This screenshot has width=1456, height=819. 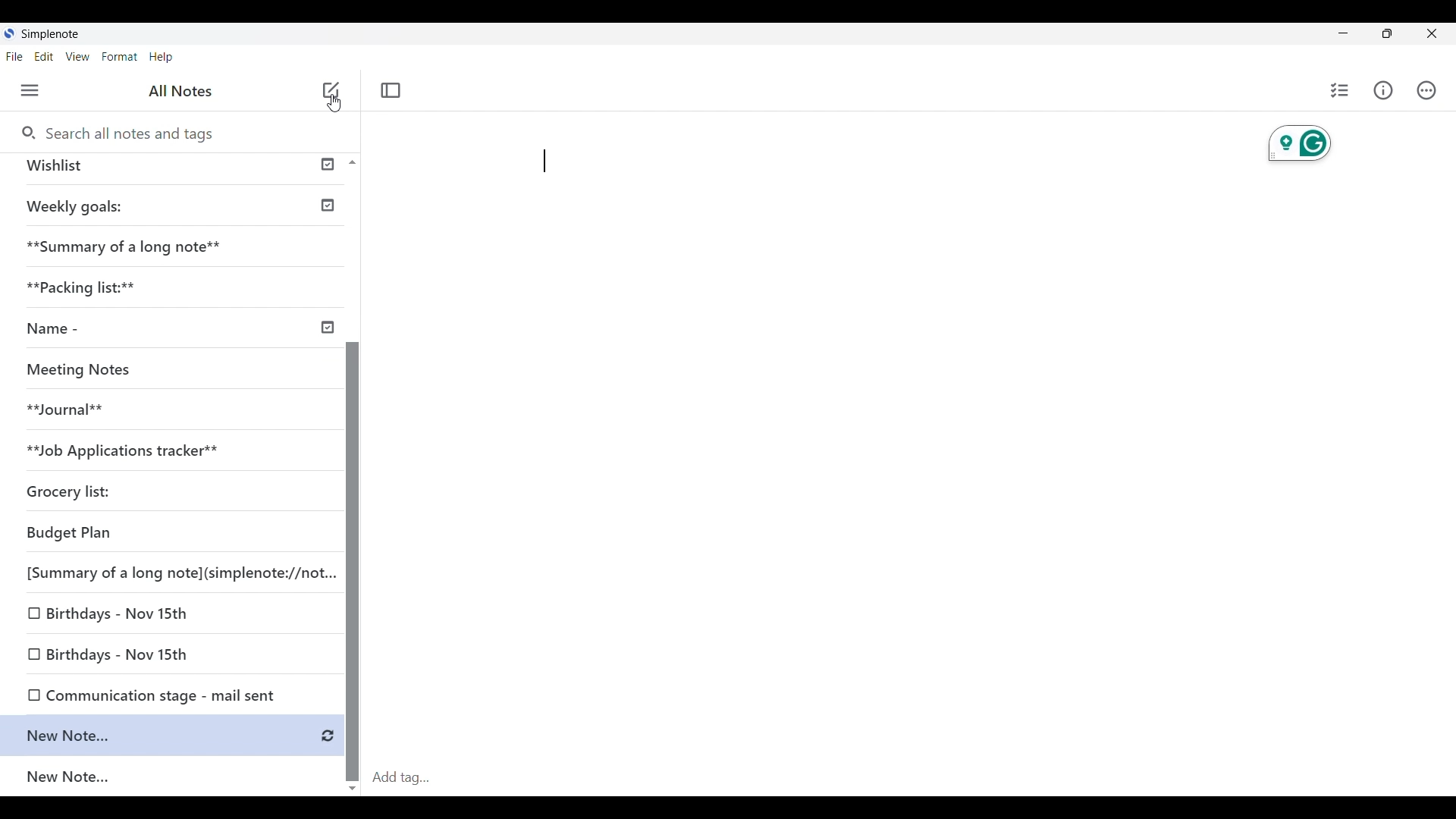 I want to click on cursor, so click(x=333, y=104).